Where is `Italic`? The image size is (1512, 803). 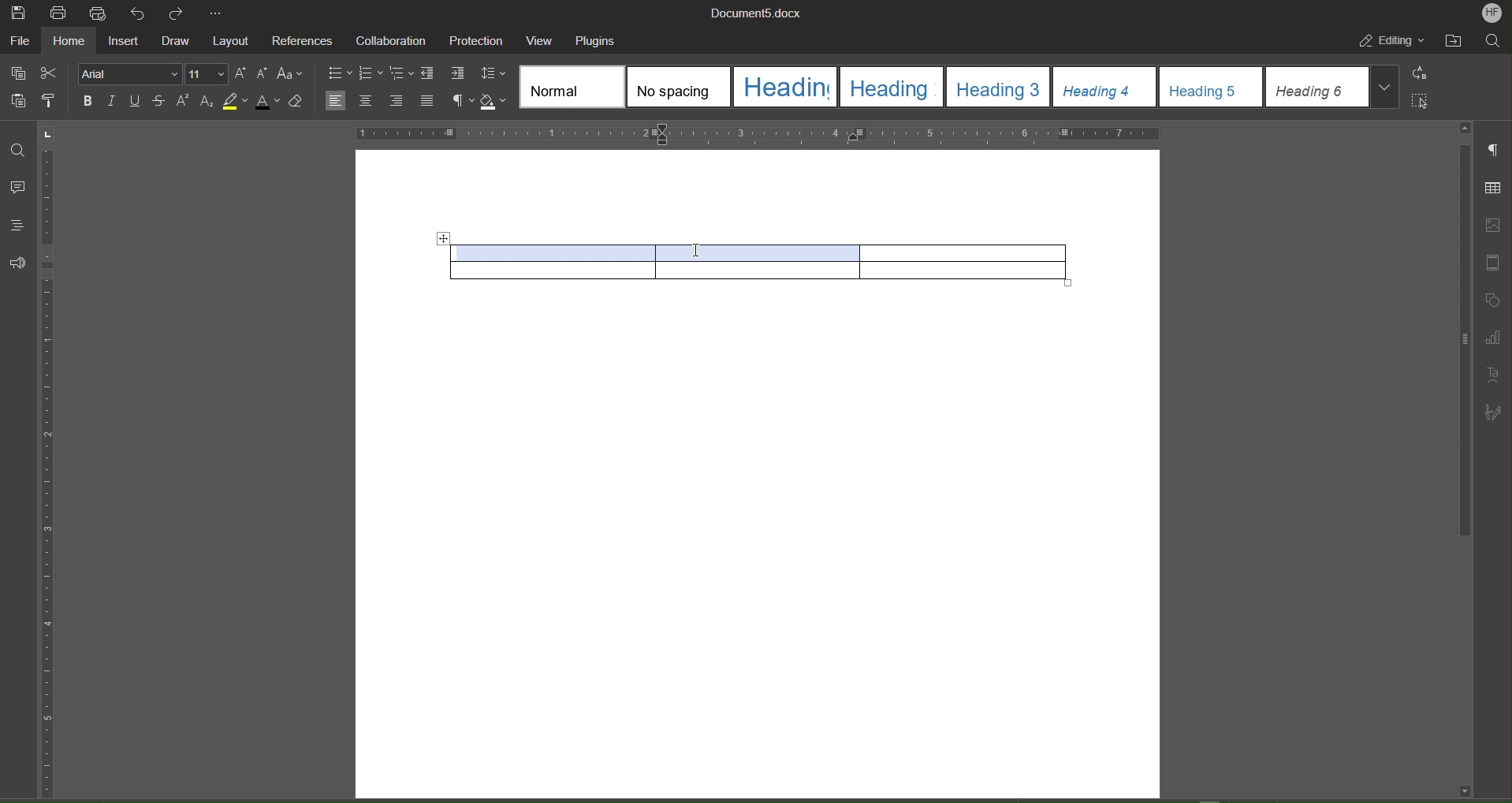 Italic is located at coordinates (112, 102).